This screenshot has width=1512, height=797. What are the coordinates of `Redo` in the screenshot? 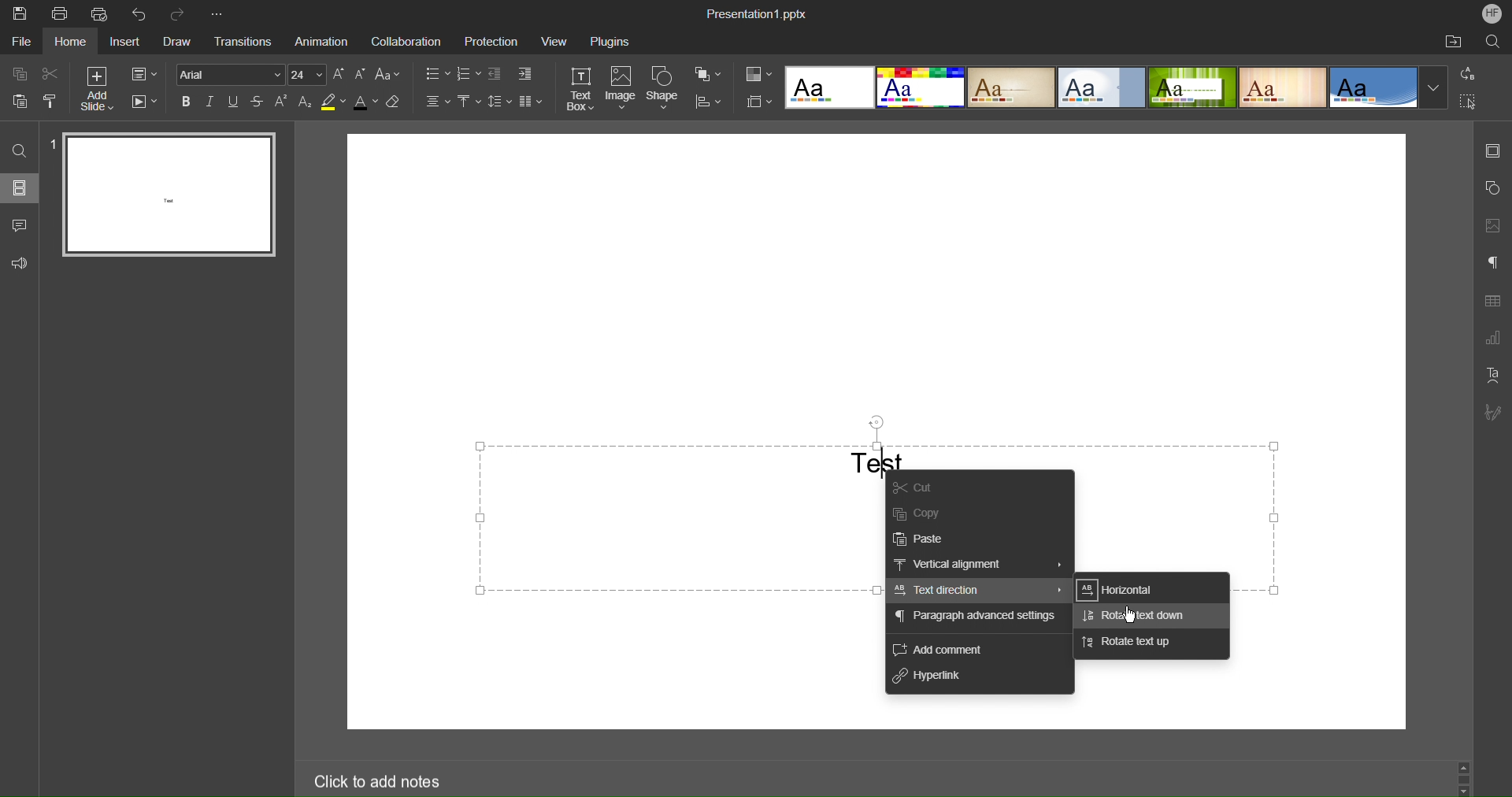 It's located at (181, 13).